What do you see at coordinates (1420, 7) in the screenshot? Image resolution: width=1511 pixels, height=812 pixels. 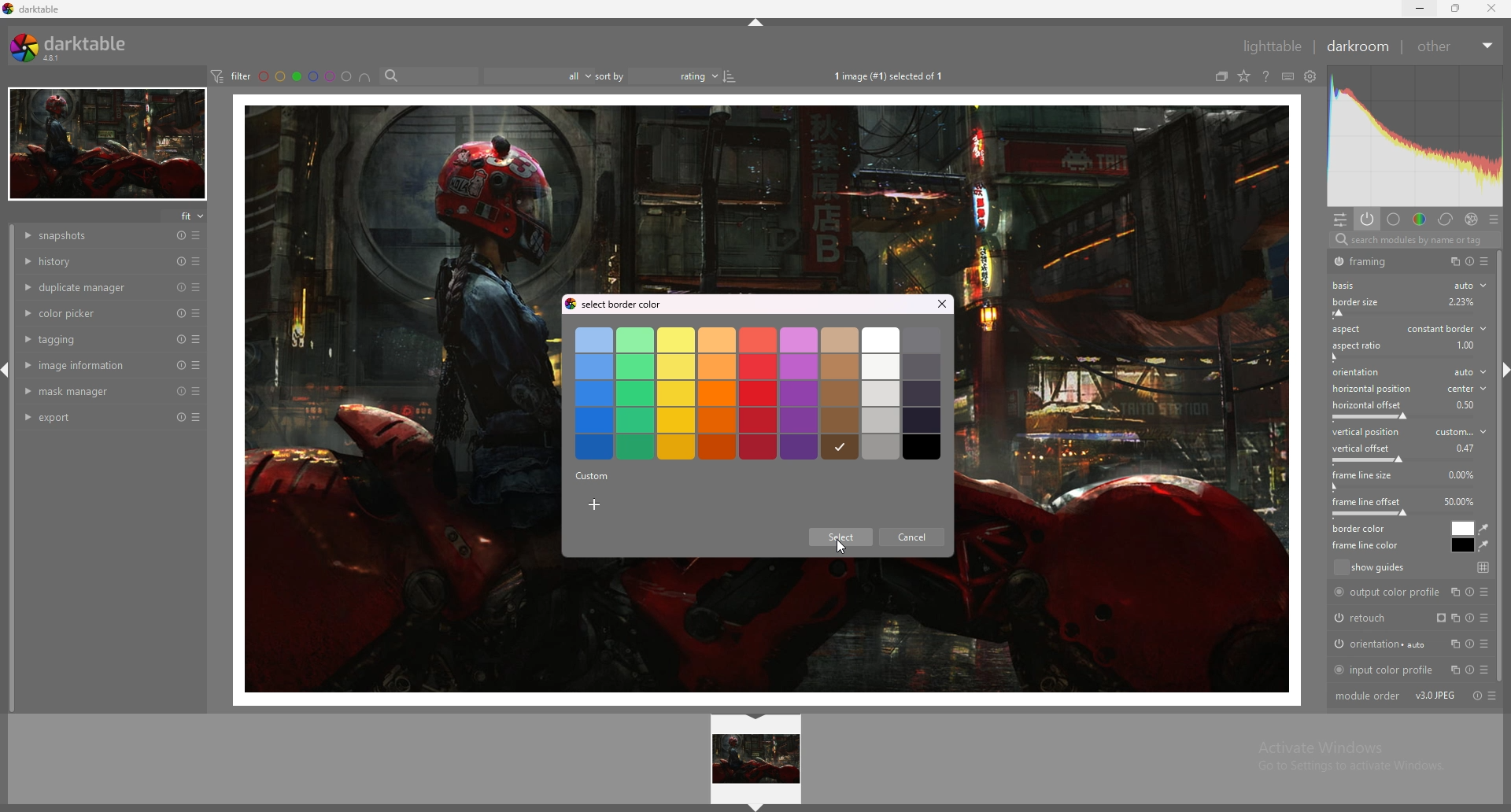 I see `minimize` at bounding box center [1420, 7].